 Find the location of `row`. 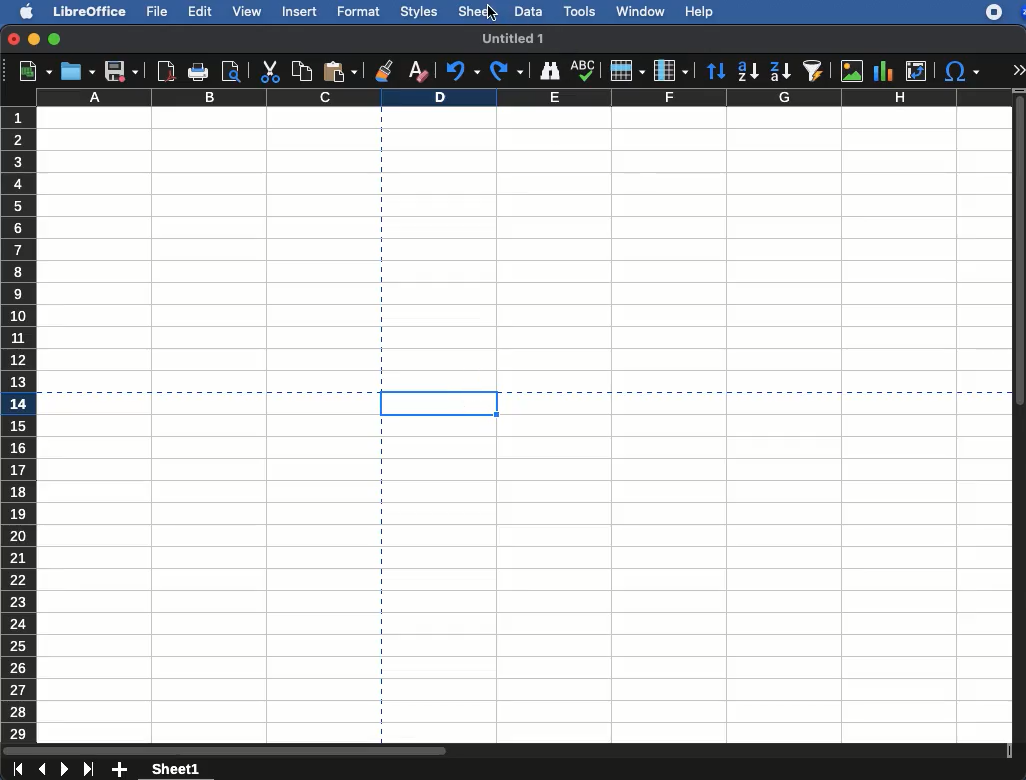

row is located at coordinates (627, 70).